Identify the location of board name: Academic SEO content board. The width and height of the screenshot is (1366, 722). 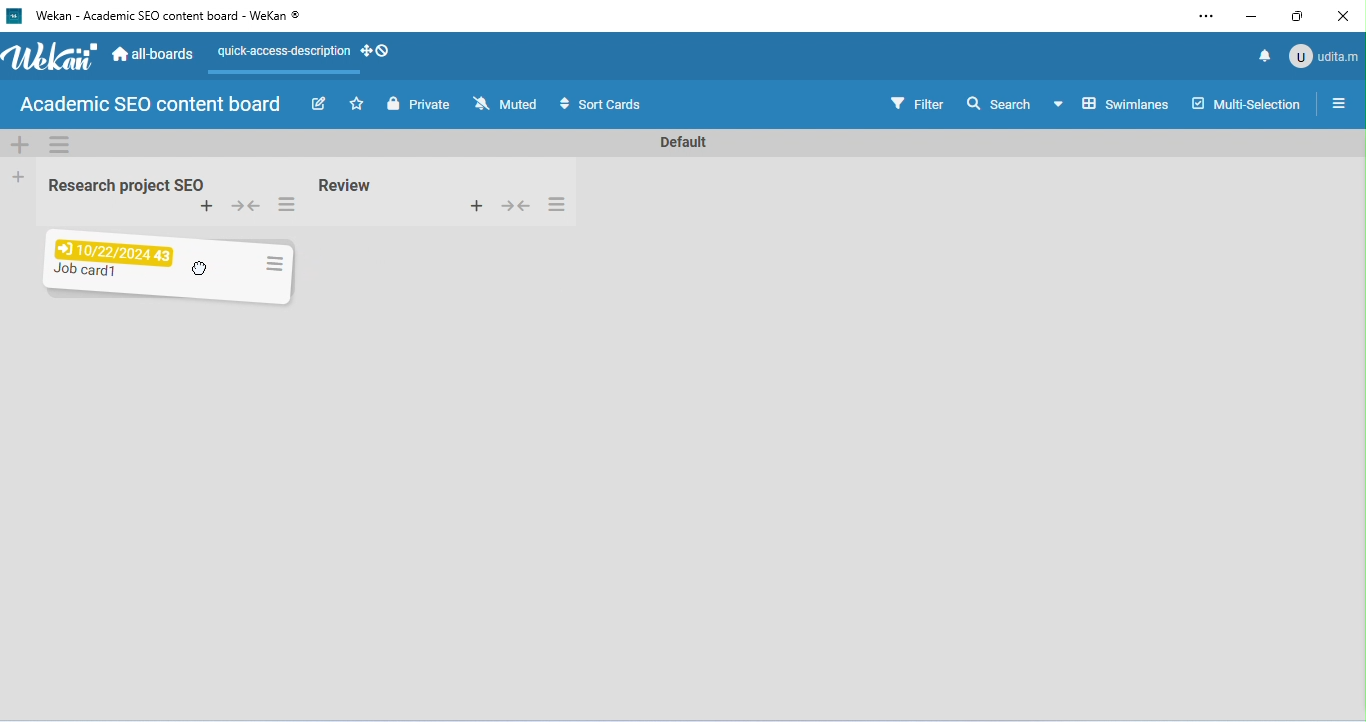
(149, 105).